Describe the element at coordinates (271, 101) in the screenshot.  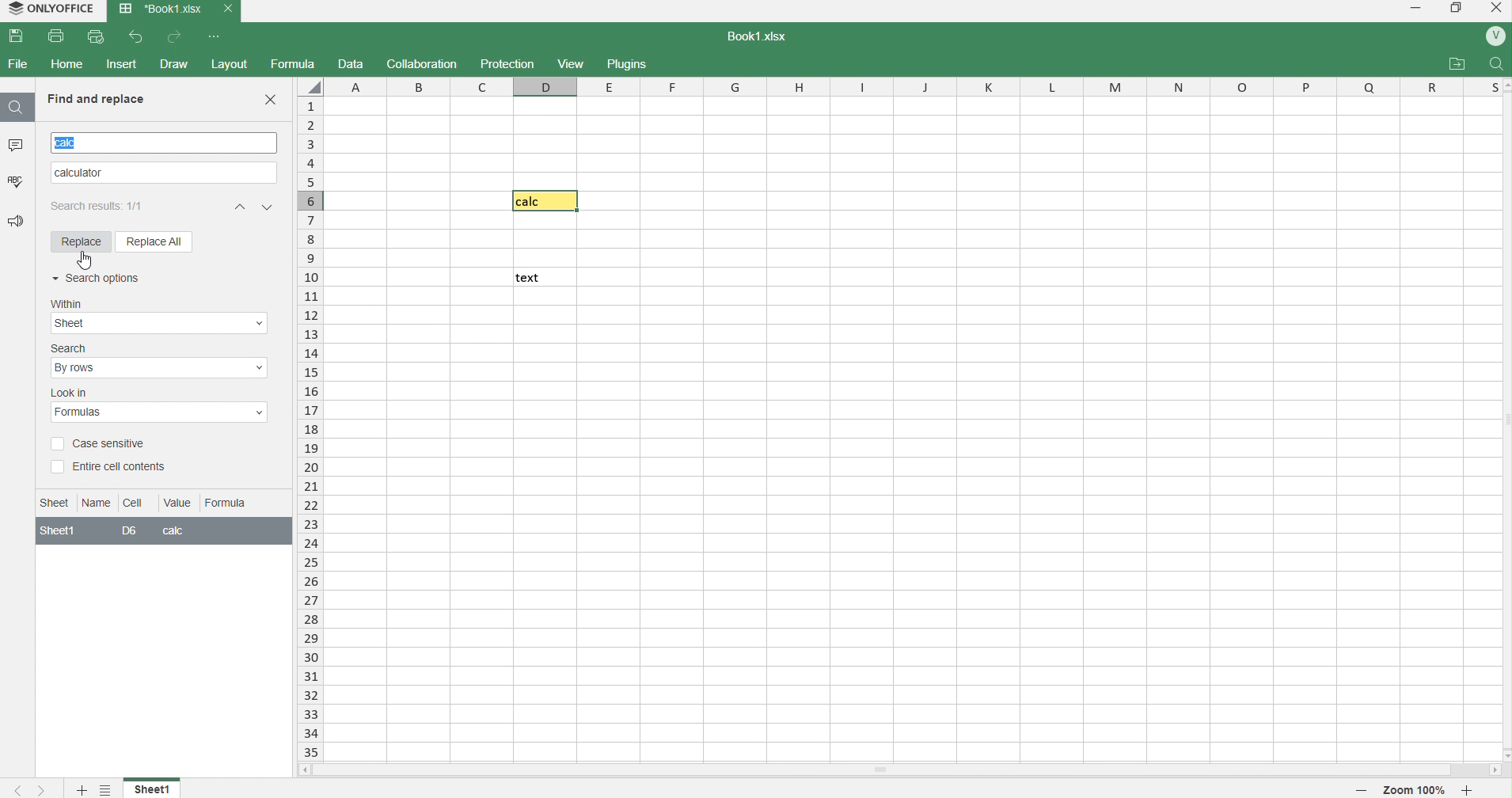
I see `Close` at that location.